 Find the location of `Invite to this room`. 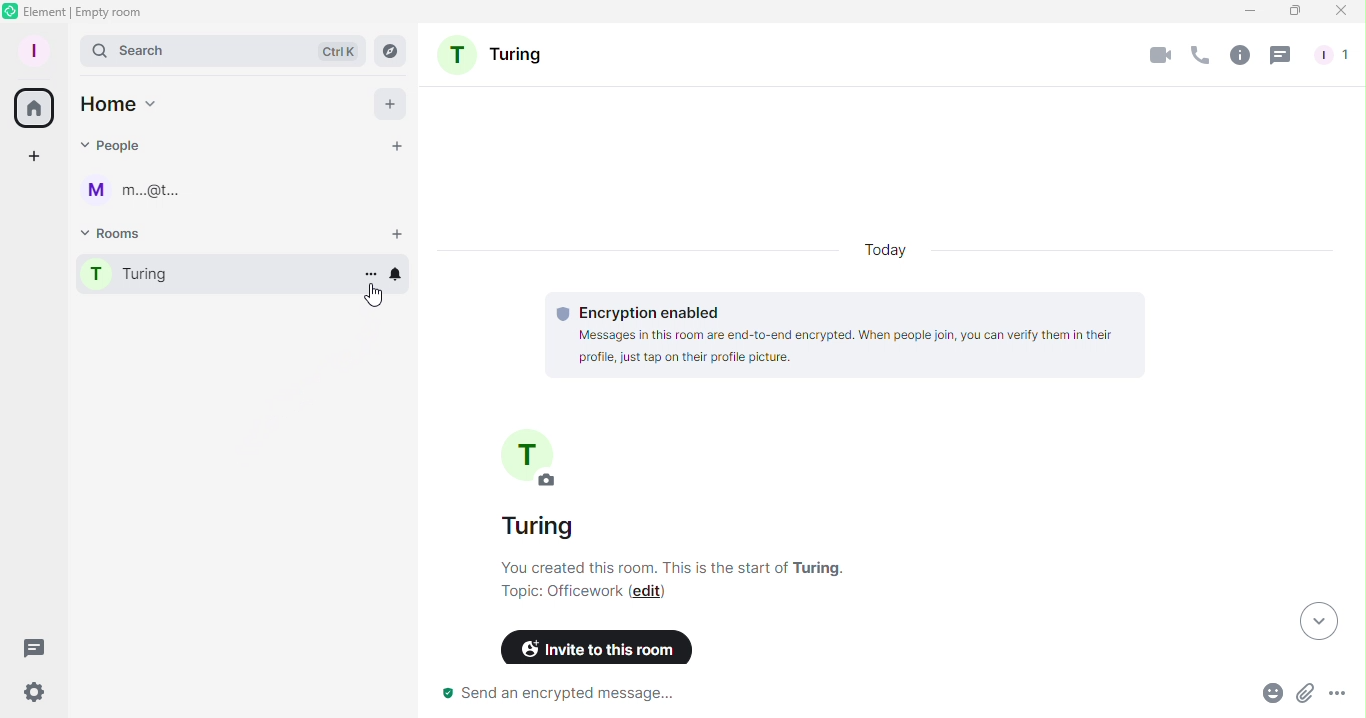

Invite to this room is located at coordinates (590, 647).